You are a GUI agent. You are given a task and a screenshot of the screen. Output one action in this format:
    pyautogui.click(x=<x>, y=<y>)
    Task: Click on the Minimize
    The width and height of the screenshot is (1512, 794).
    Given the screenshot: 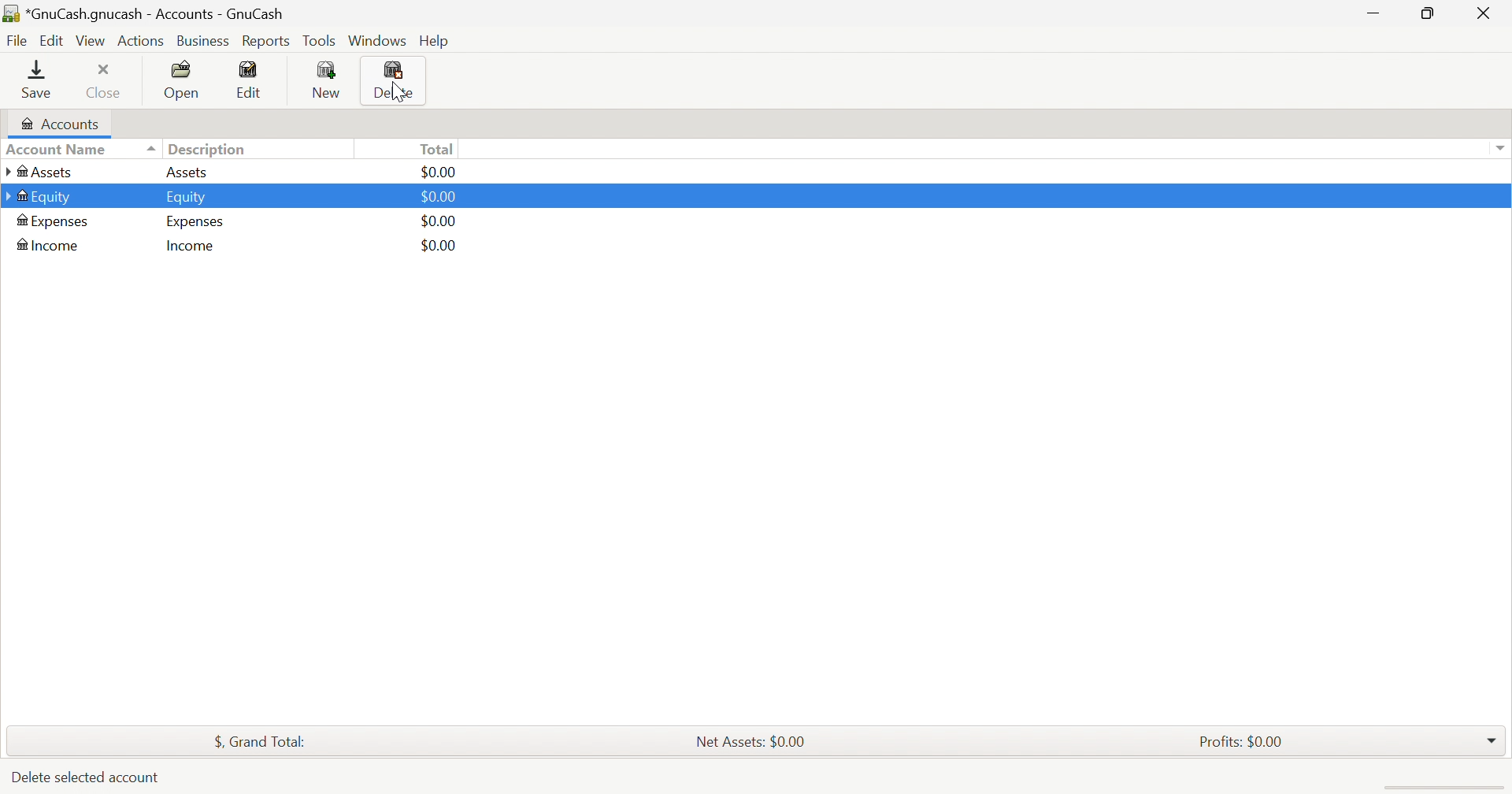 What is the action you would take?
    pyautogui.click(x=1374, y=17)
    